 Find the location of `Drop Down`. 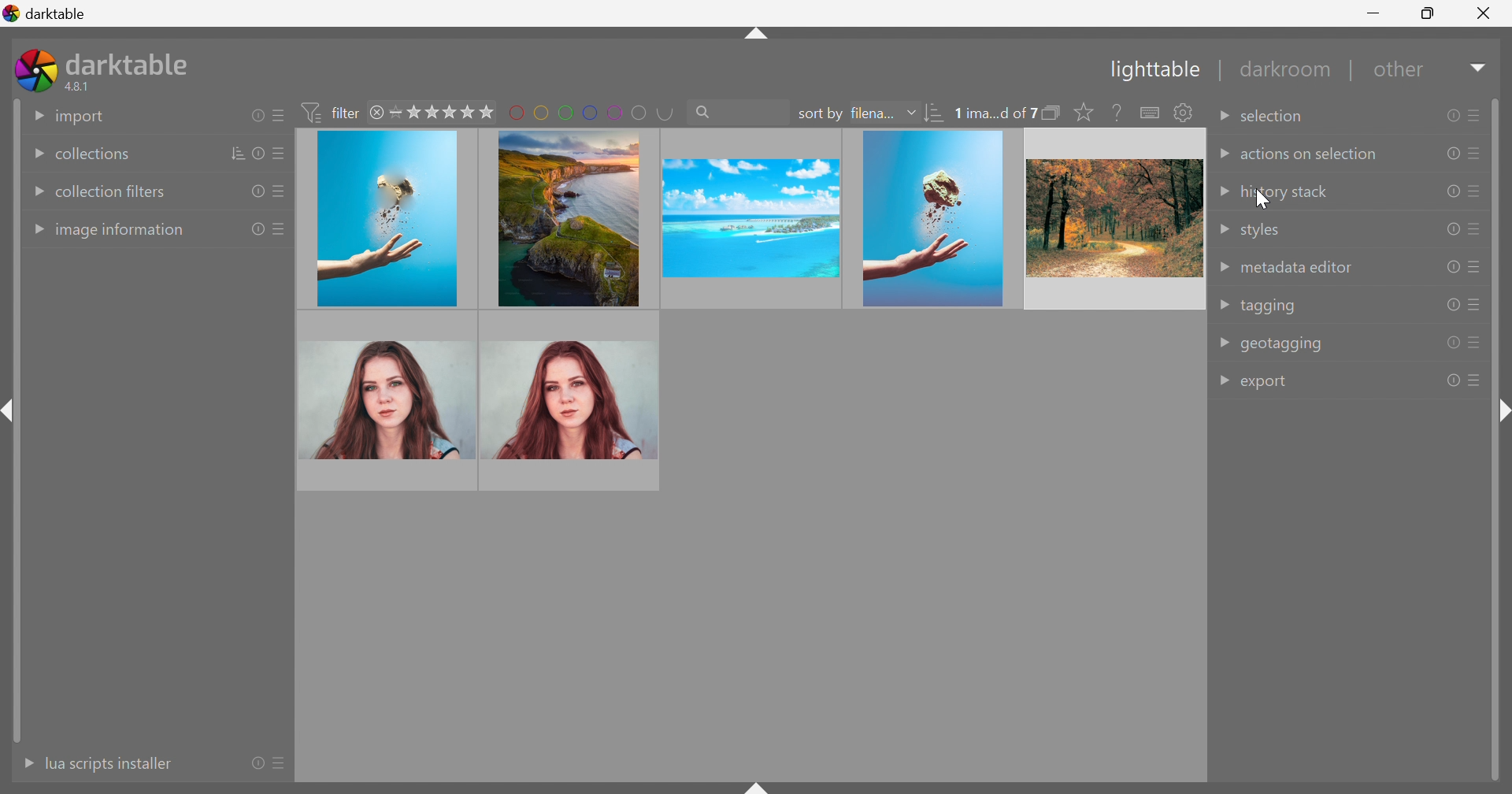

Drop Down is located at coordinates (35, 192).